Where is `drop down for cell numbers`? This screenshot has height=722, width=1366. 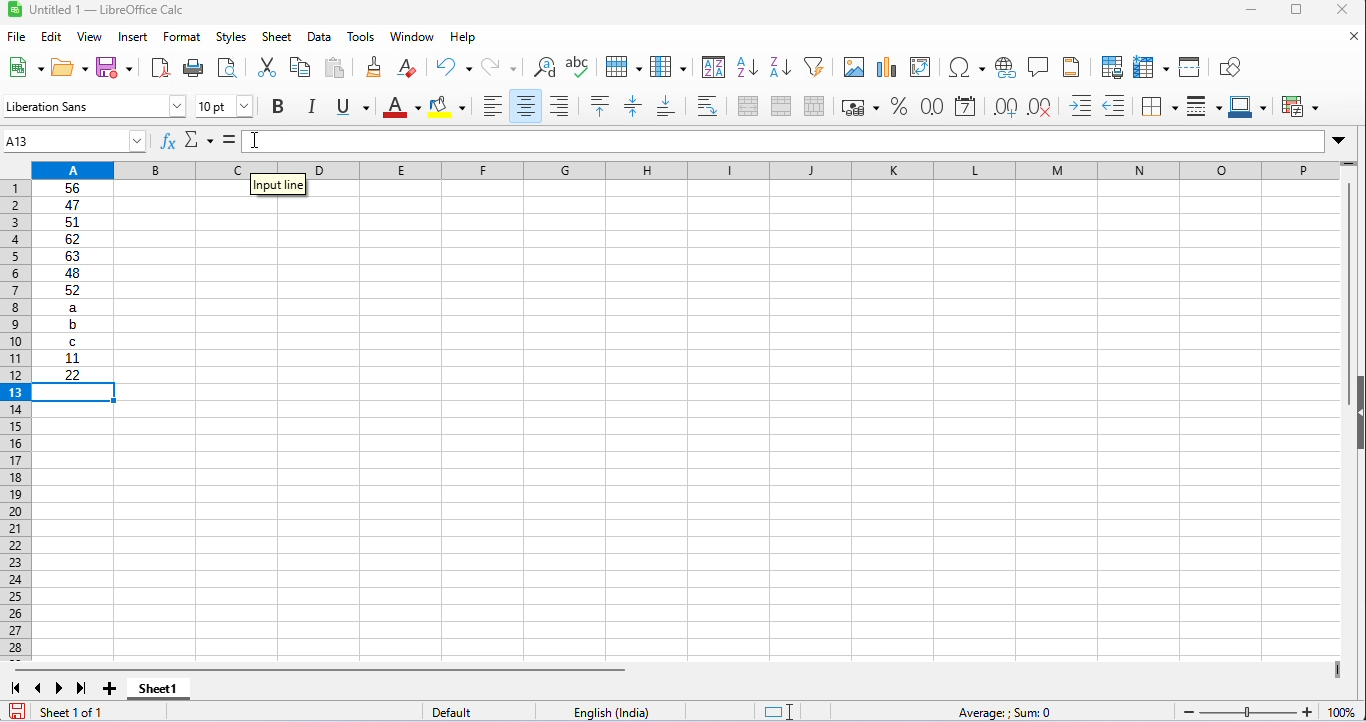
drop down for cell numbers is located at coordinates (137, 141).